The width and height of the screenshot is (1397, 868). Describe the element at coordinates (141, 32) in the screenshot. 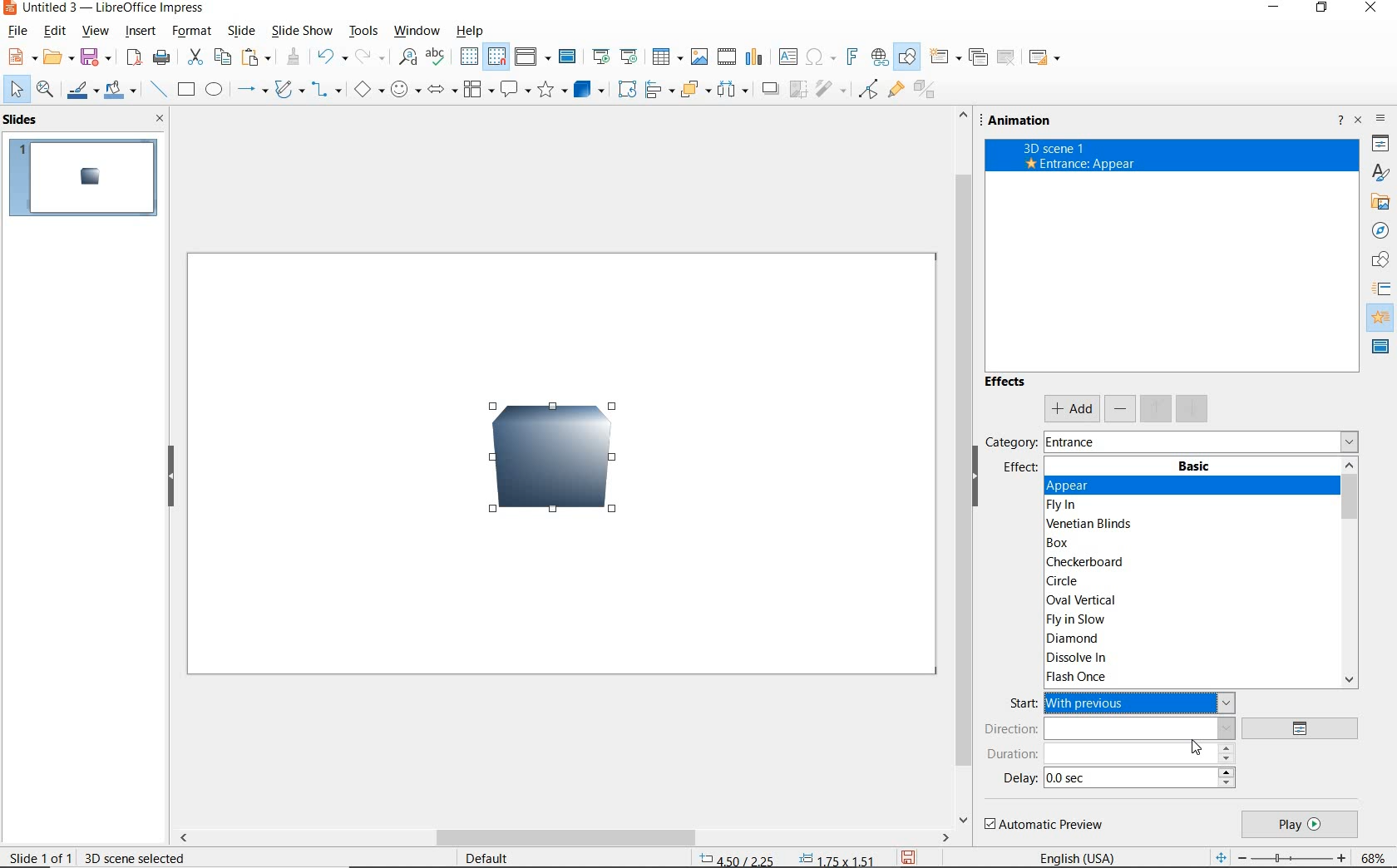

I see `insert` at that location.